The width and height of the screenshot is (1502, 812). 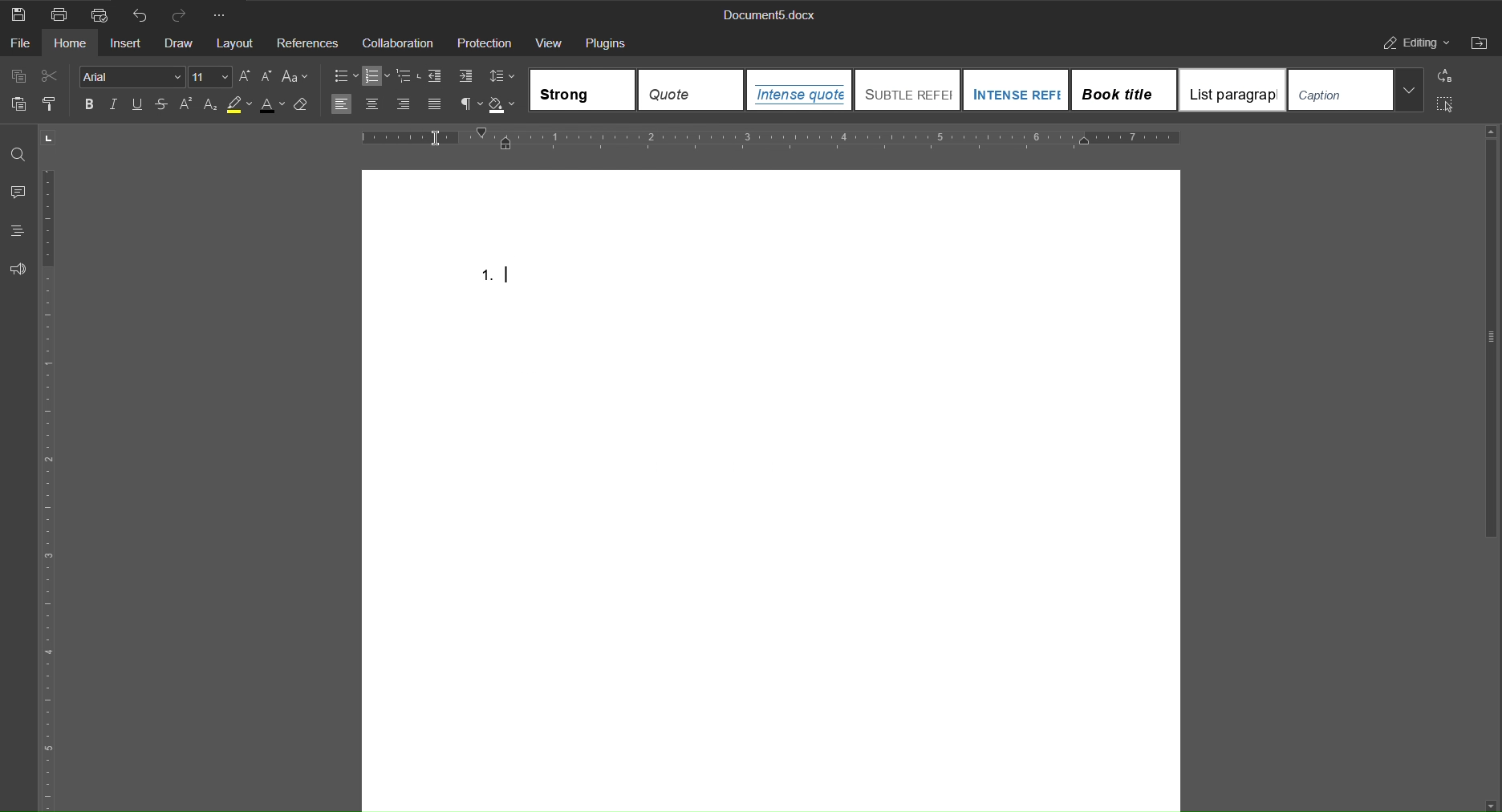 What do you see at coordinates (142, 14) in the screenshot?
I see `Undo` at bounding box center [142, 14].